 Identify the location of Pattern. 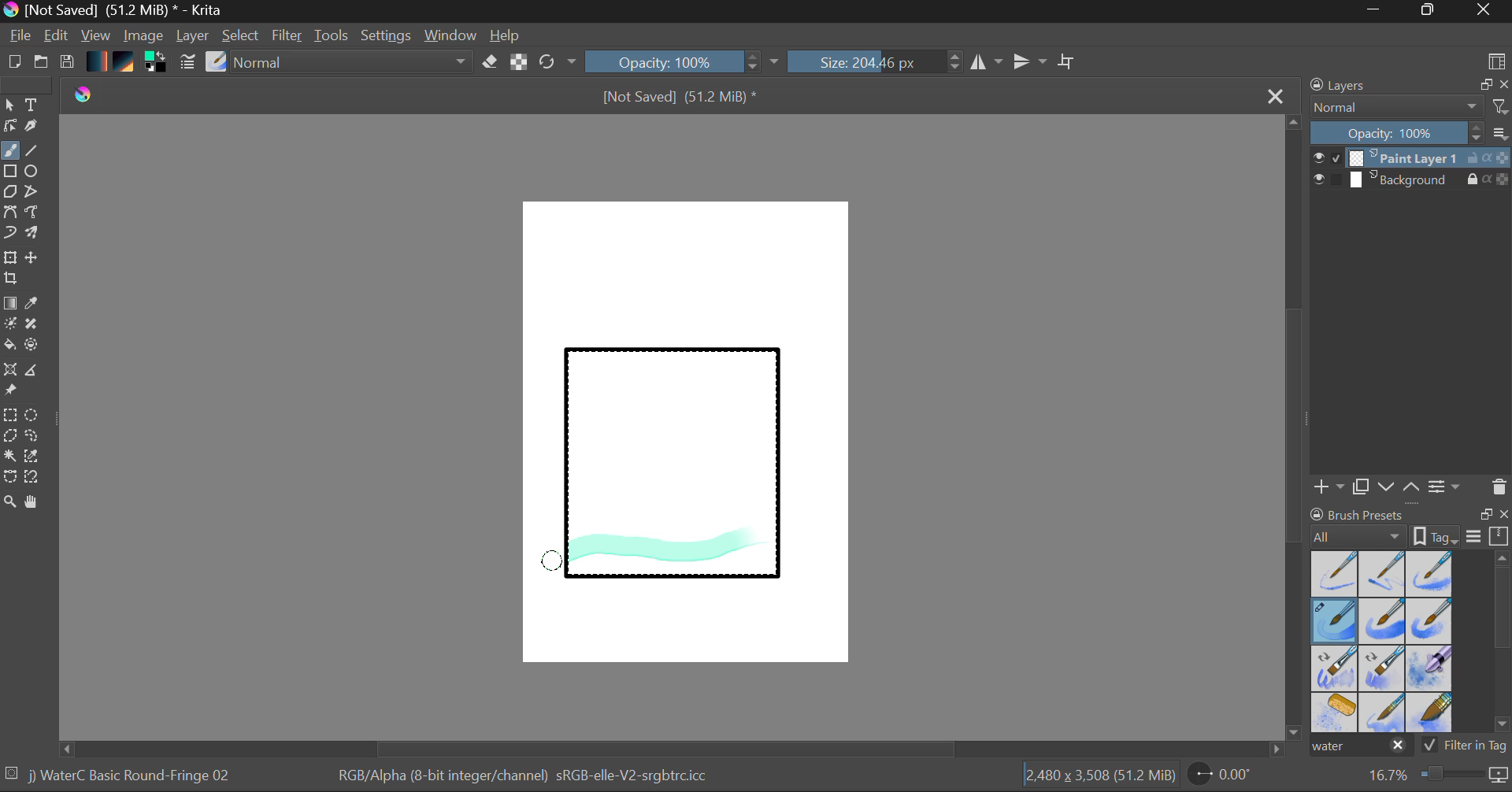
(126, 63).